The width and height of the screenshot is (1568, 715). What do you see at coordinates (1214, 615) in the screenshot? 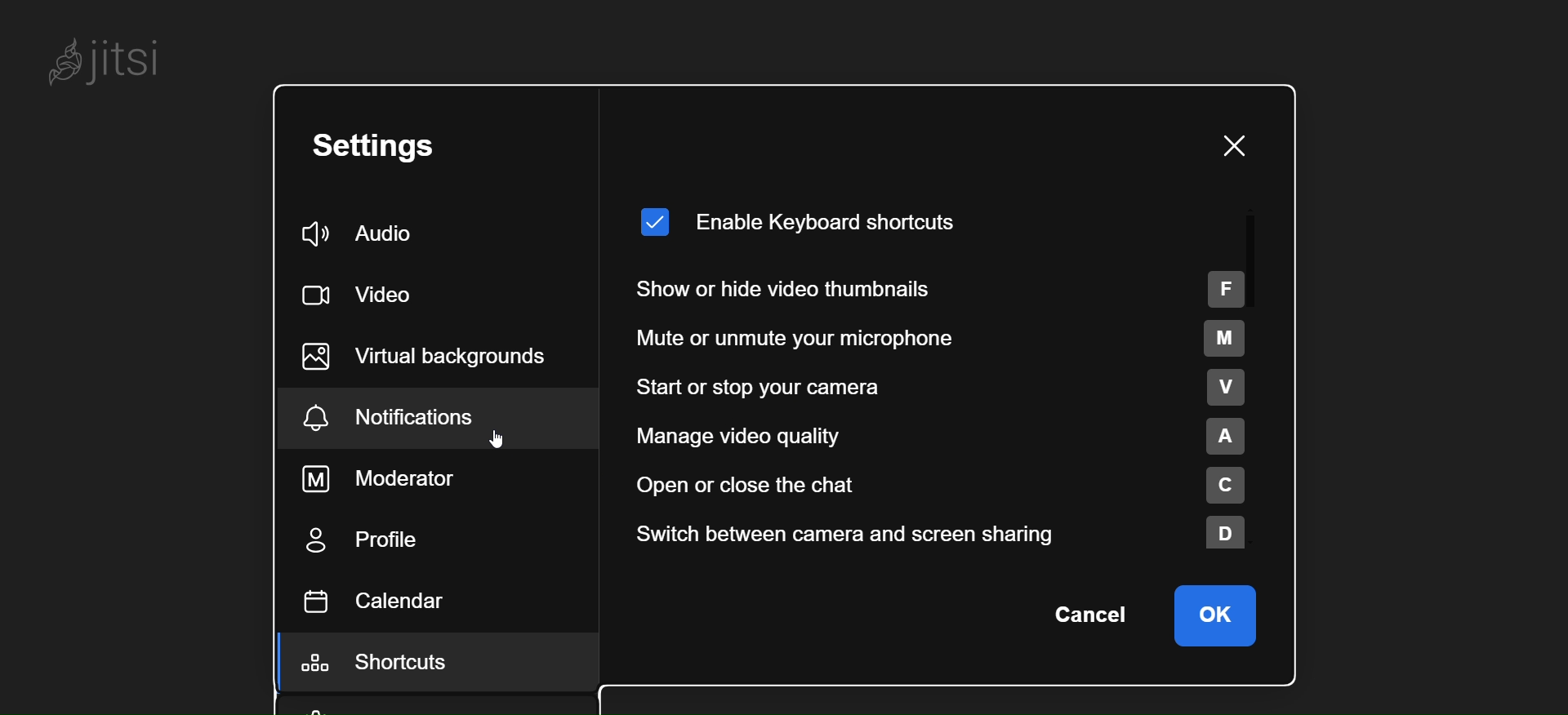
I see `ok` at bounding box center [1214, 615].